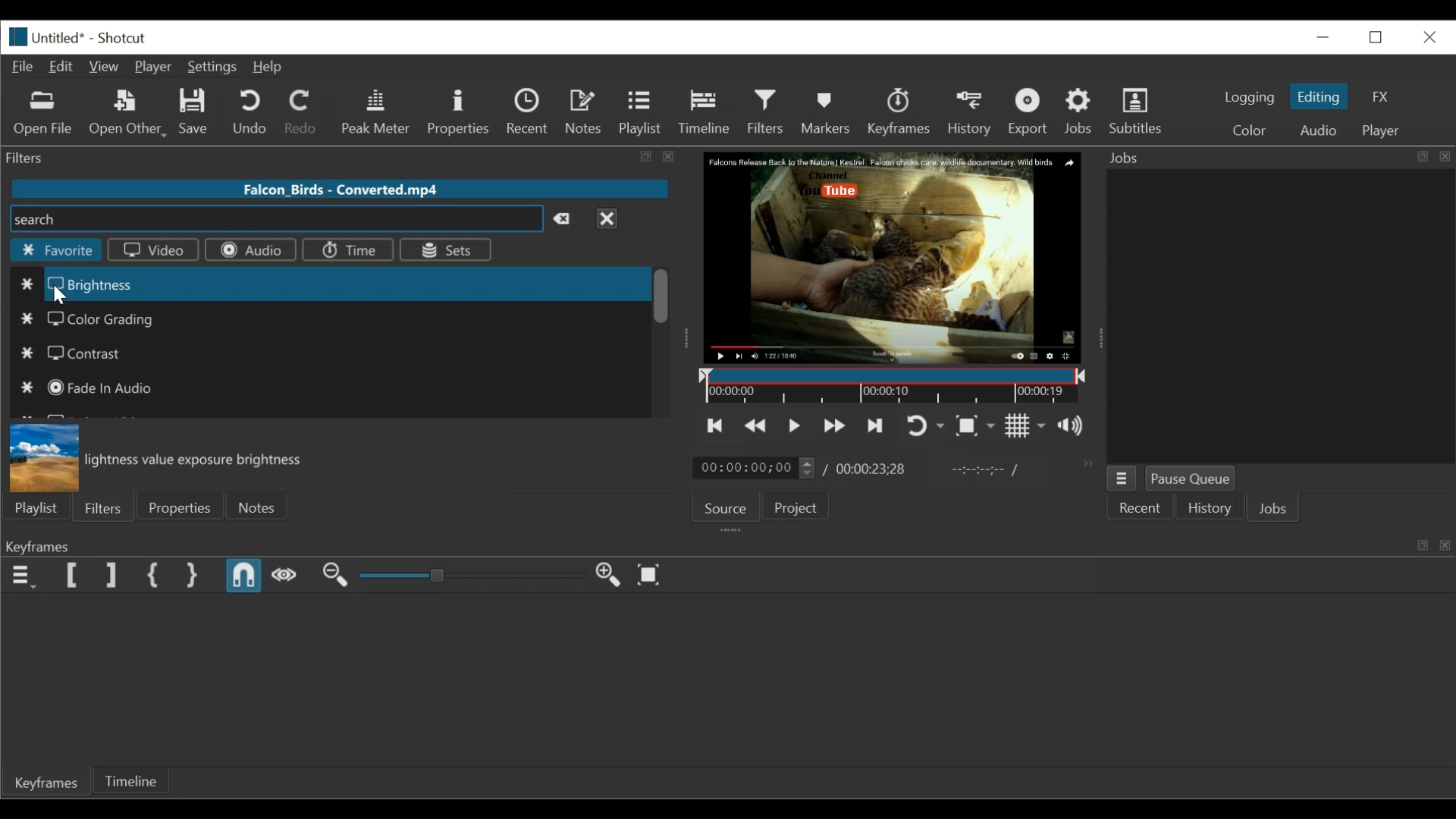 The image size is (1456, 819). What do you see at coordinates (105, 507) in the screenshot?
I see `Filters` at bounding box center [105, 507].